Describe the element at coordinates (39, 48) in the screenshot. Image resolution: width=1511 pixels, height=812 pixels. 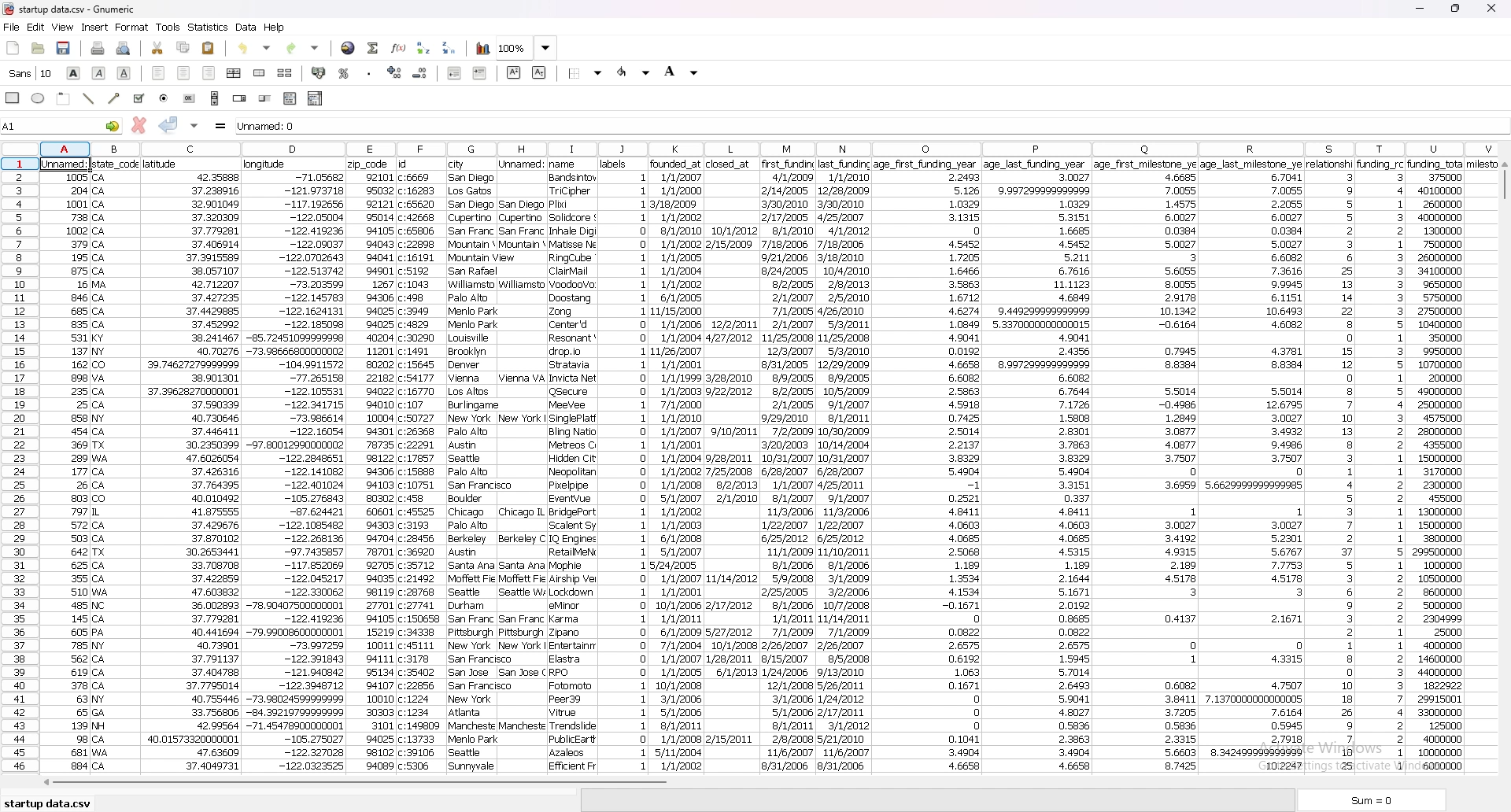
I see `open` at that location.